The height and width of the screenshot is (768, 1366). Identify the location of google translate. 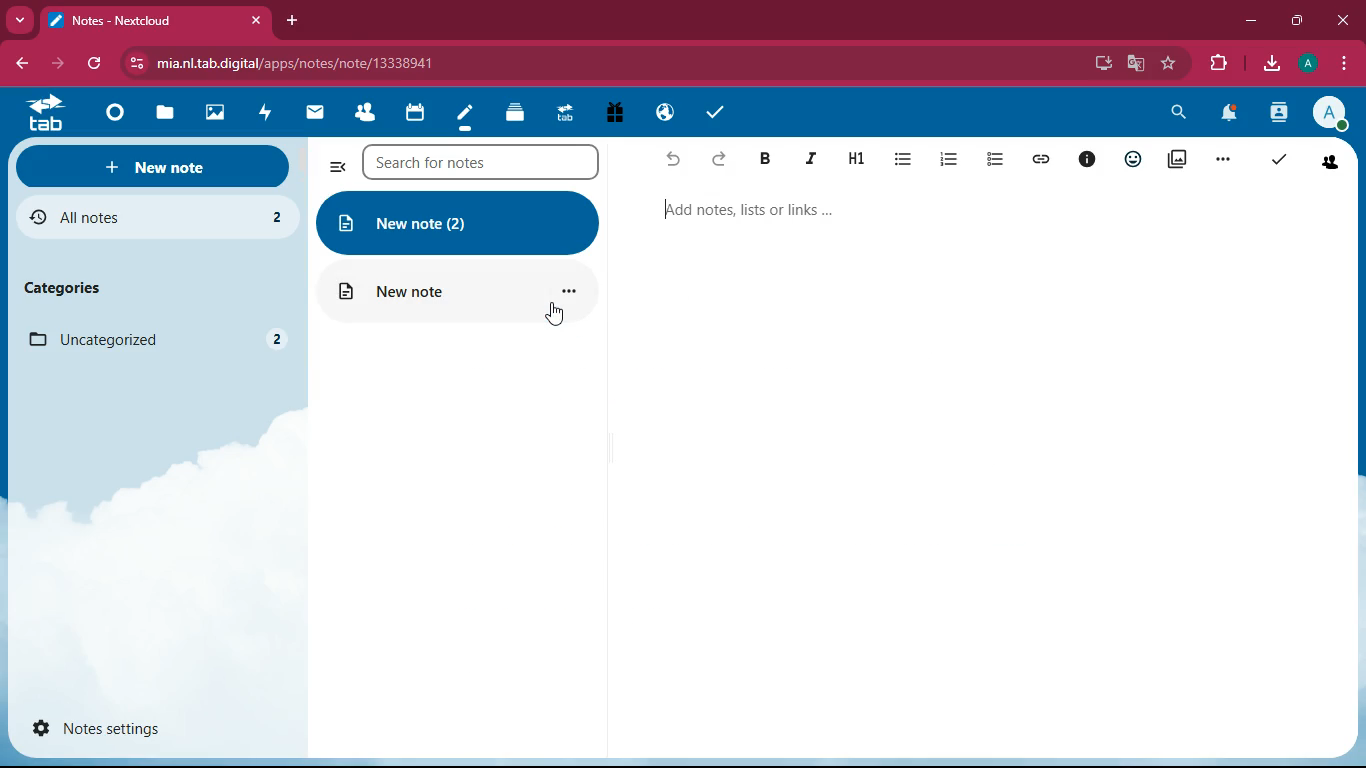
(1133, 64).